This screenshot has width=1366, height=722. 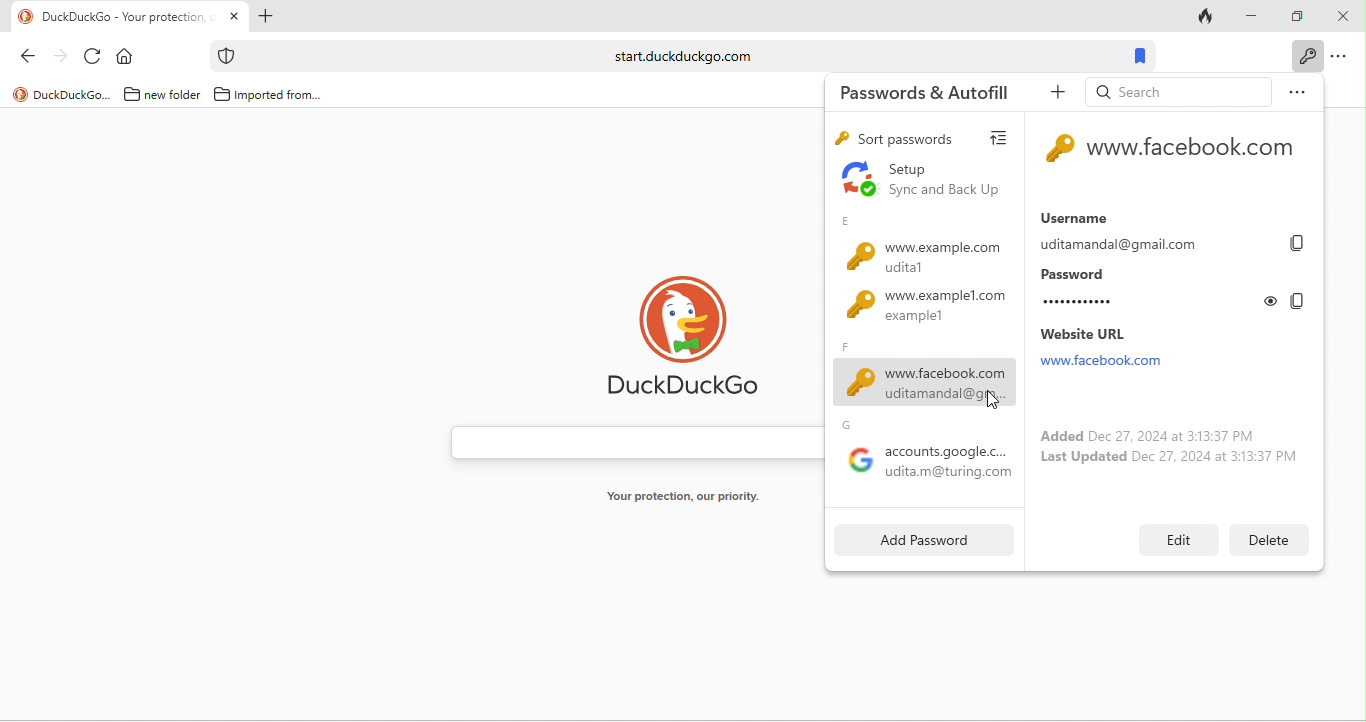 I want to click on last updated dec 27, 2024 at 3:13:37 PM, so click(x=1171, y=460).